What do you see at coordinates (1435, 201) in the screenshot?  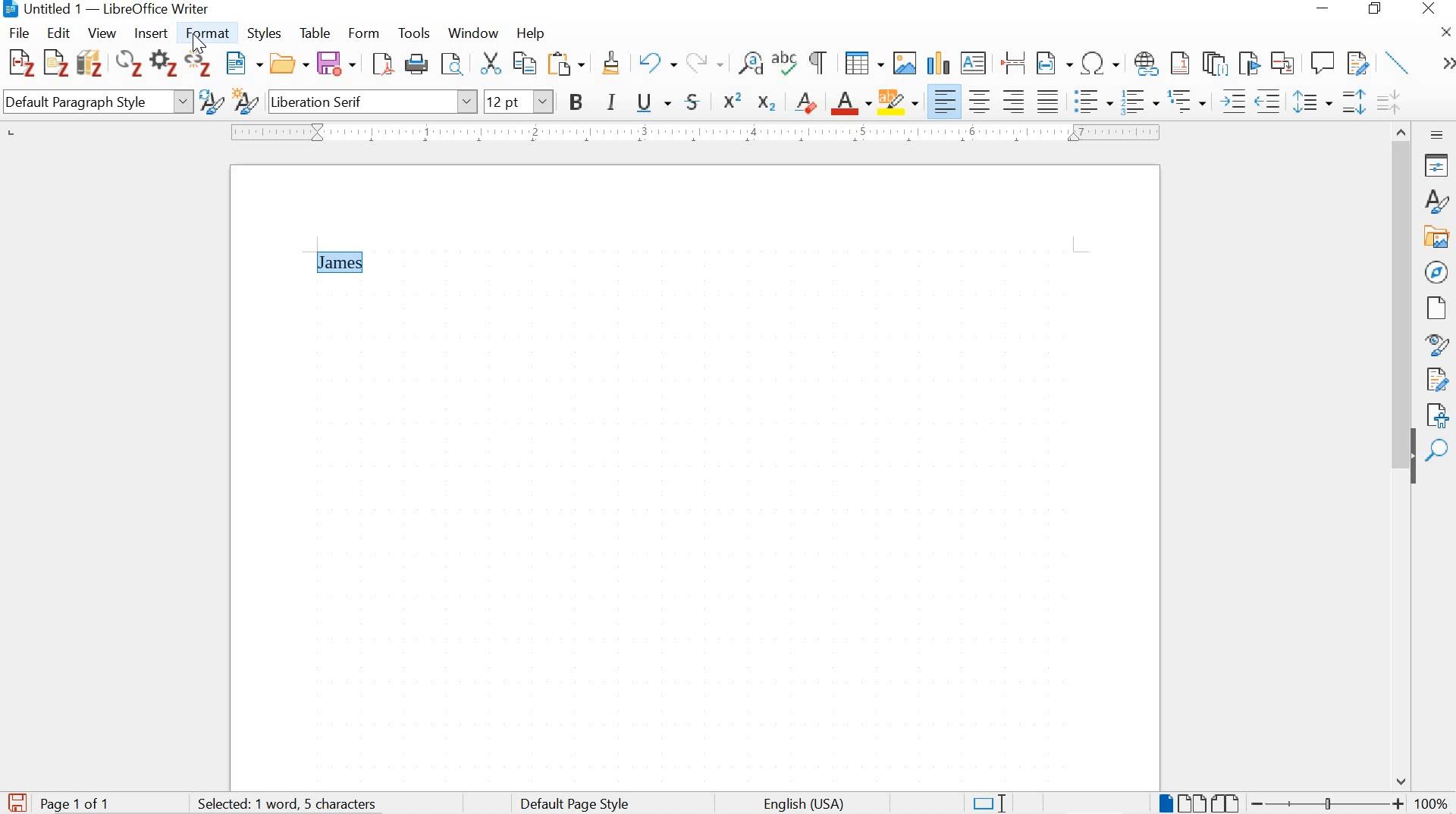 I see `styles` at bounding box center [1435, 201].